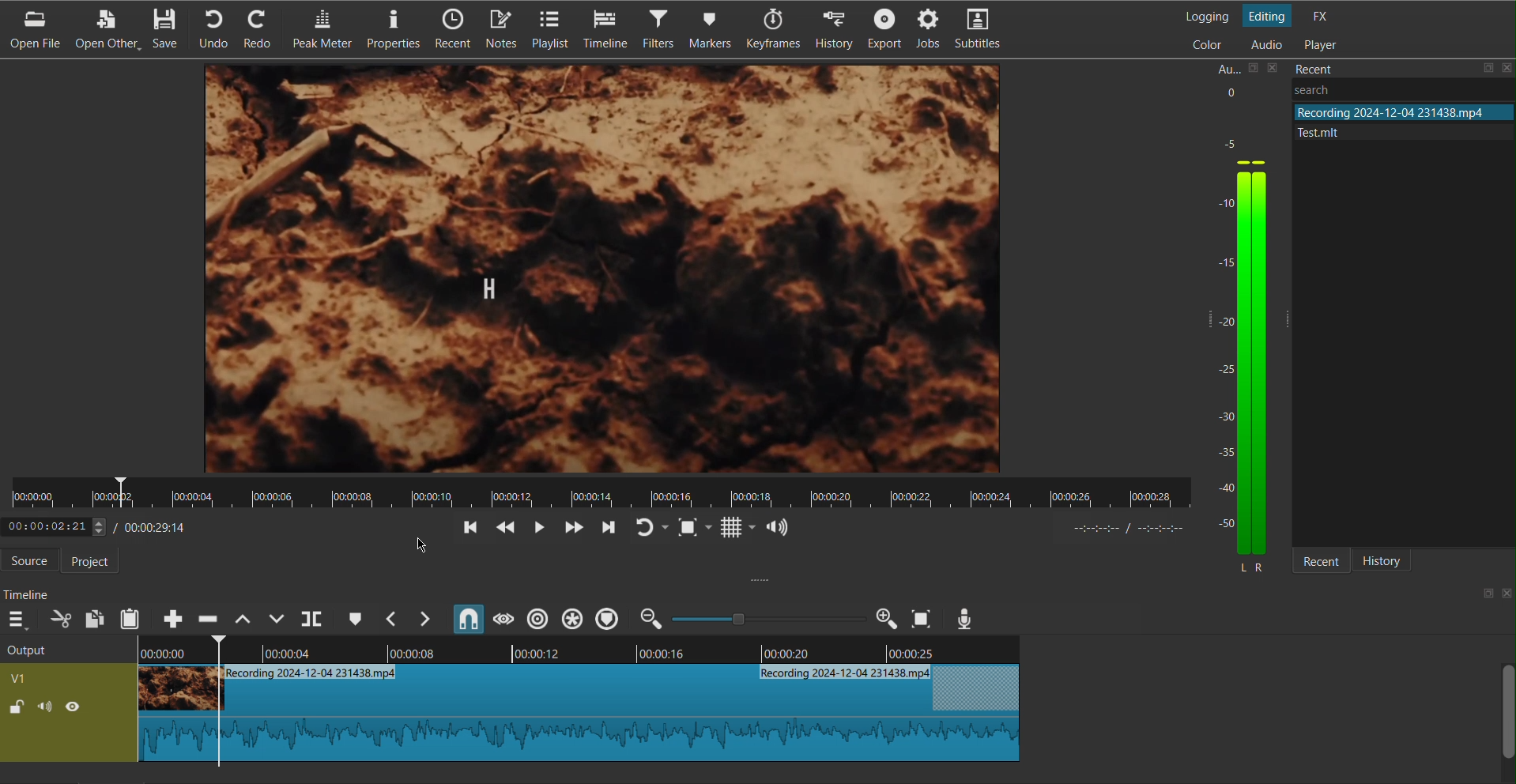 The width and height of the screenshot is (1516, 784). What do you see at coordinates (1206, 15) in the screenshot?
I see `Logging` at bounding box center [1206, 15].